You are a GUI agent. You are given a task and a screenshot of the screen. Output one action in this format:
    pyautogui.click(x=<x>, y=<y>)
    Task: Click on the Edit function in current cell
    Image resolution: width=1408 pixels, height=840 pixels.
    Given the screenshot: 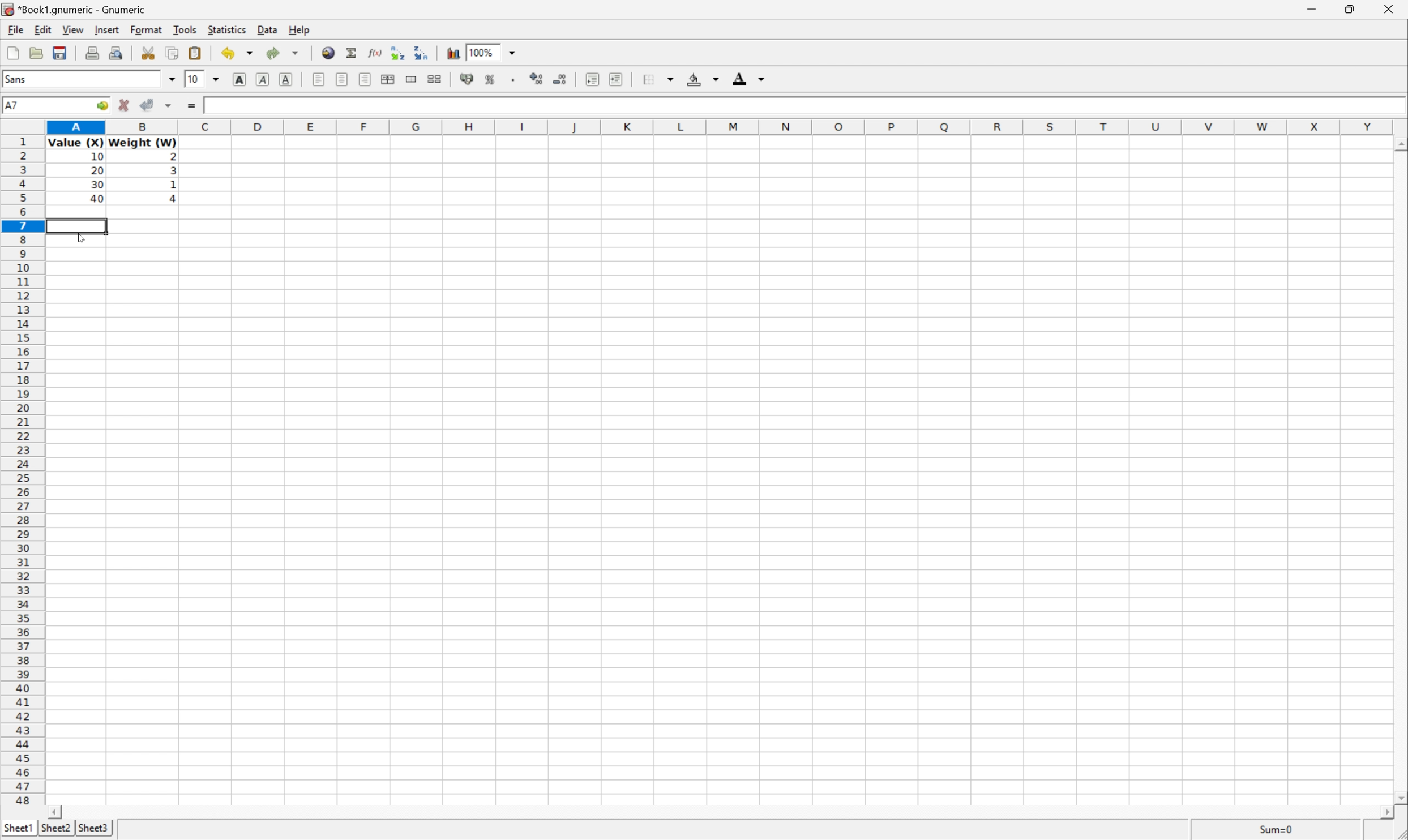 What is the action you would take?
    pyautogui.click(x=375, y=53)
    